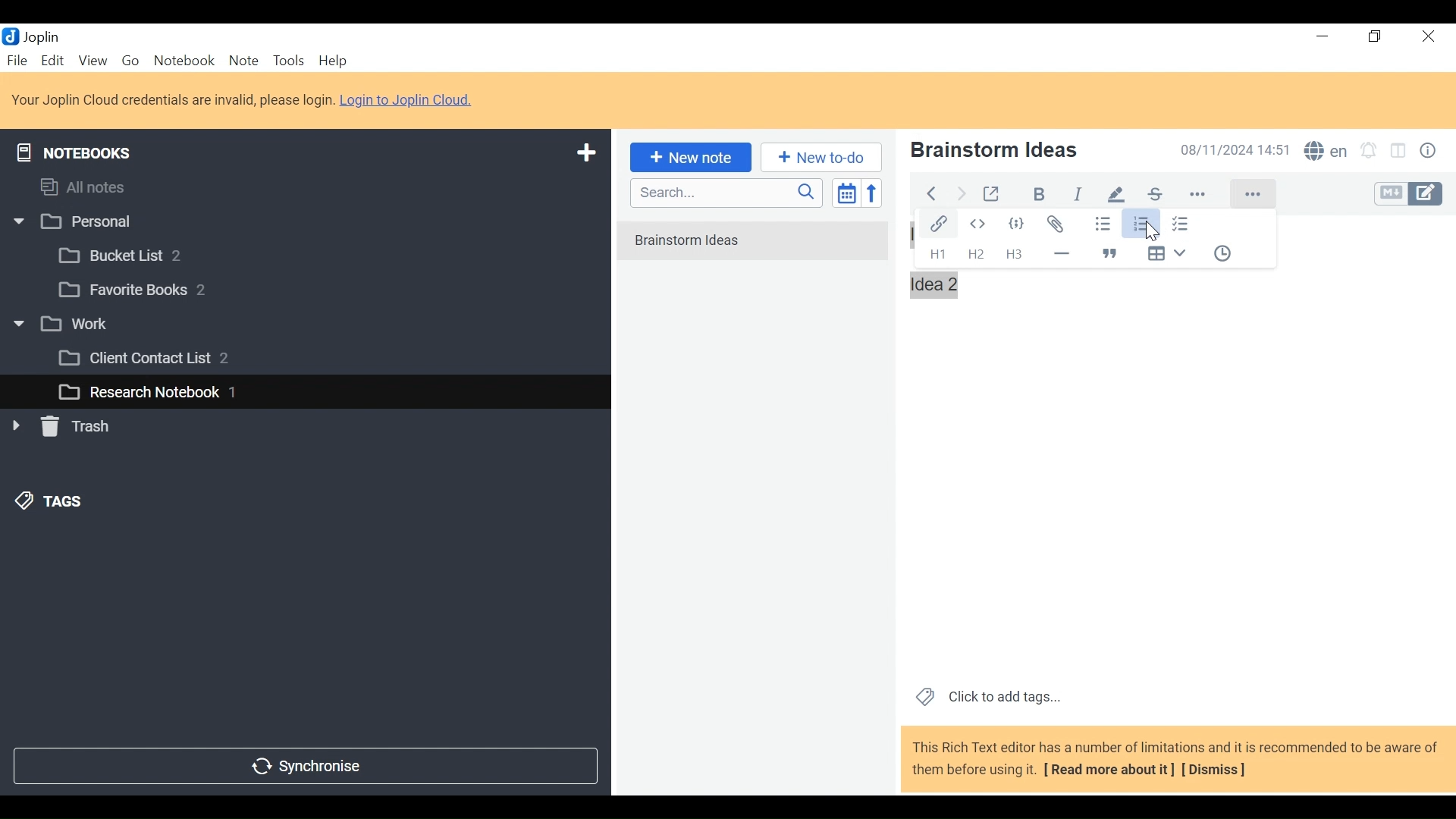 This screenshot has height=819, width=1456. I want to click on Toggle Editor, so click(1410, 194).